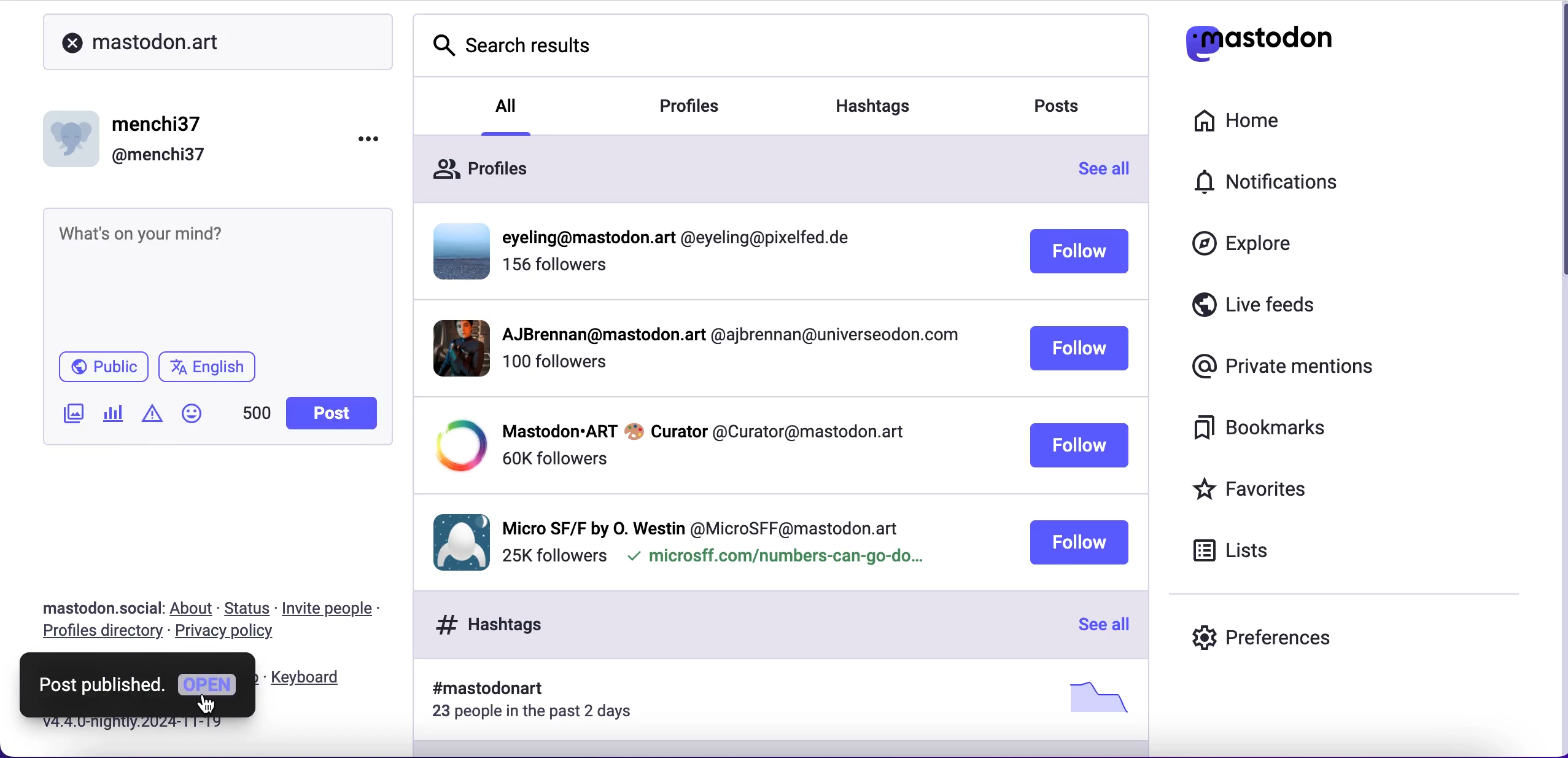 The image size is (1568, 758). What do you see at coordinates (71, 415) in the screenshot?
I see `add image` at bounding box center [71, 415].